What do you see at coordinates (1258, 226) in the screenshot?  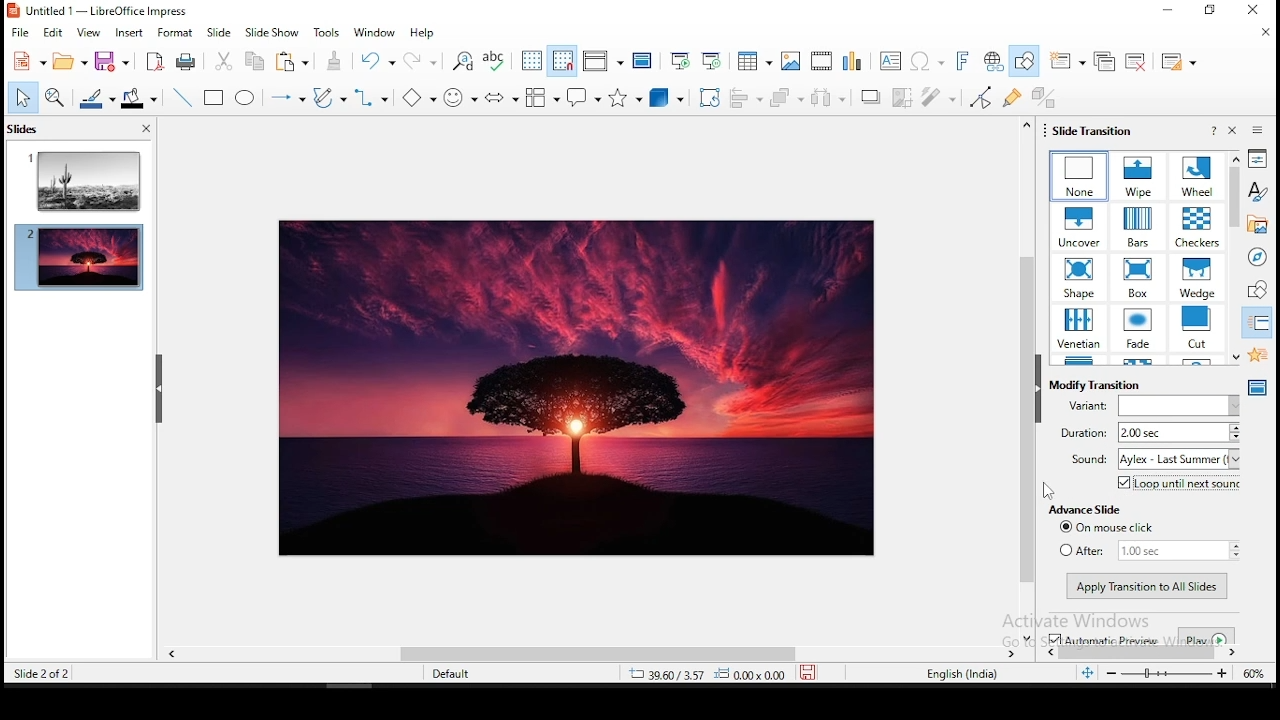 I see `gallery` at bounding box center [1258, 226].